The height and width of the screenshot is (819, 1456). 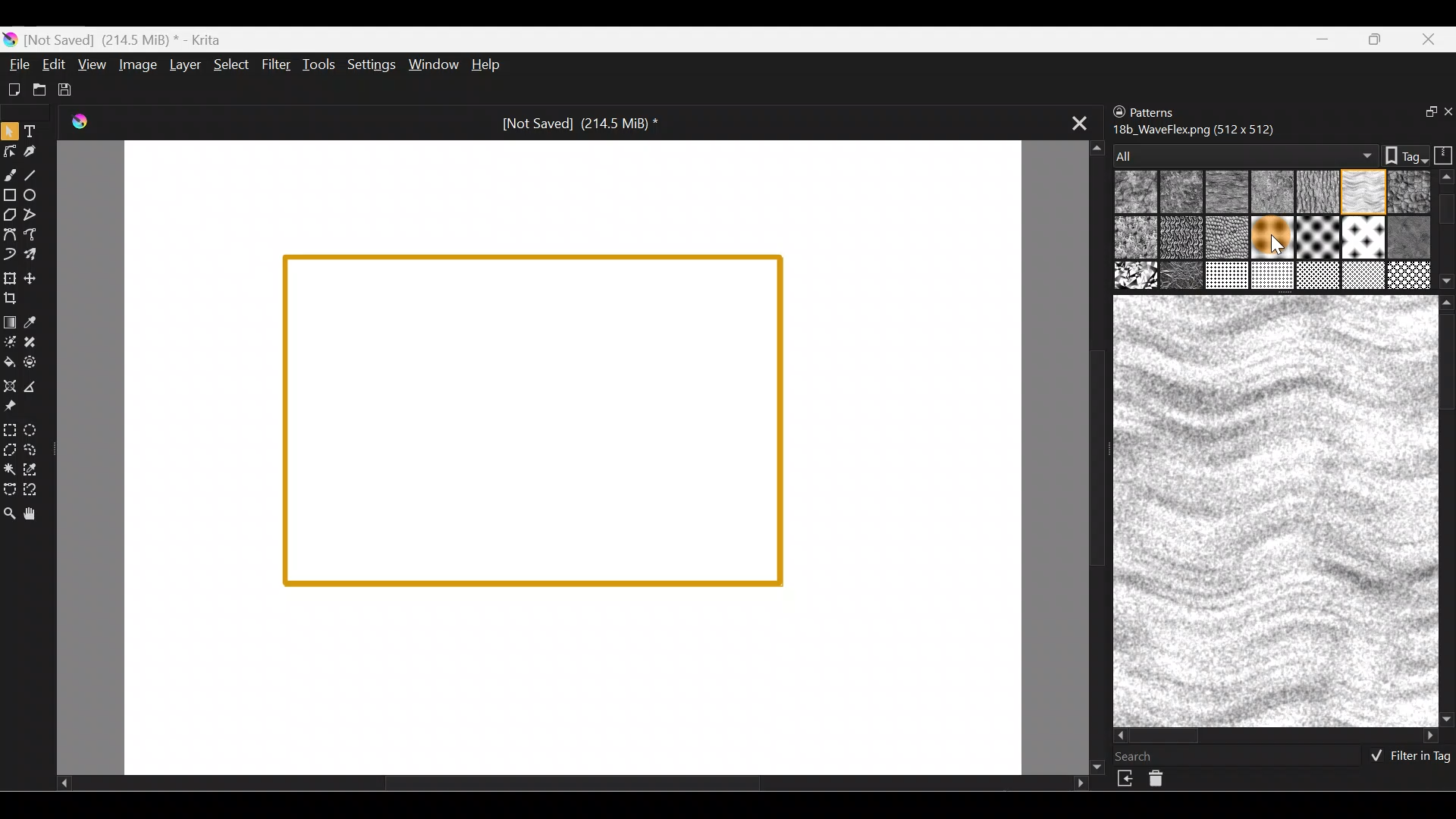 What do you see at coordinates (53, 66) in the screenshot?
I see `Edit` at bounding box center [53, 66].